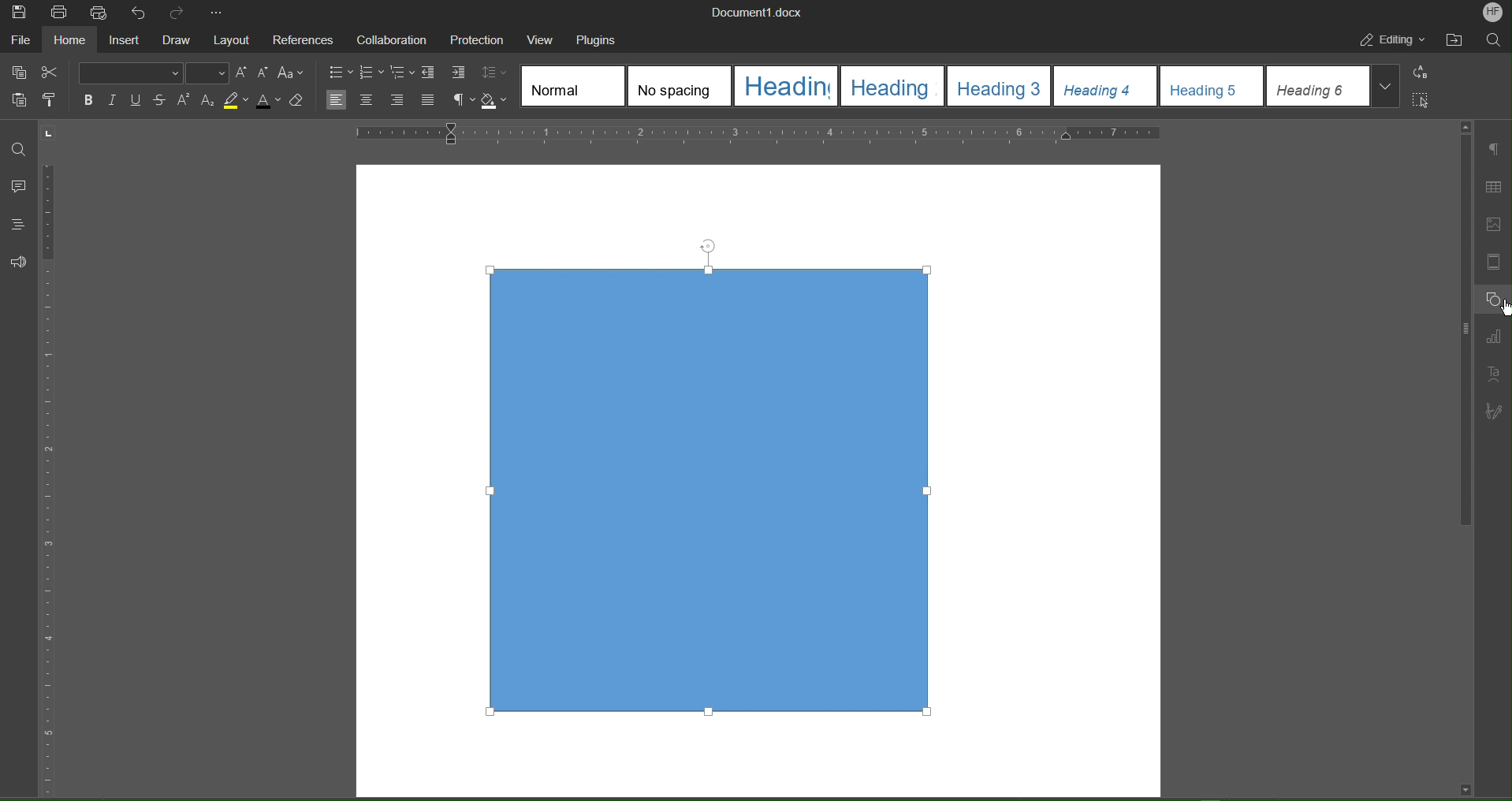 This screenshot has width=1512, height=801. I want to click on Copy, so click(18, 73).